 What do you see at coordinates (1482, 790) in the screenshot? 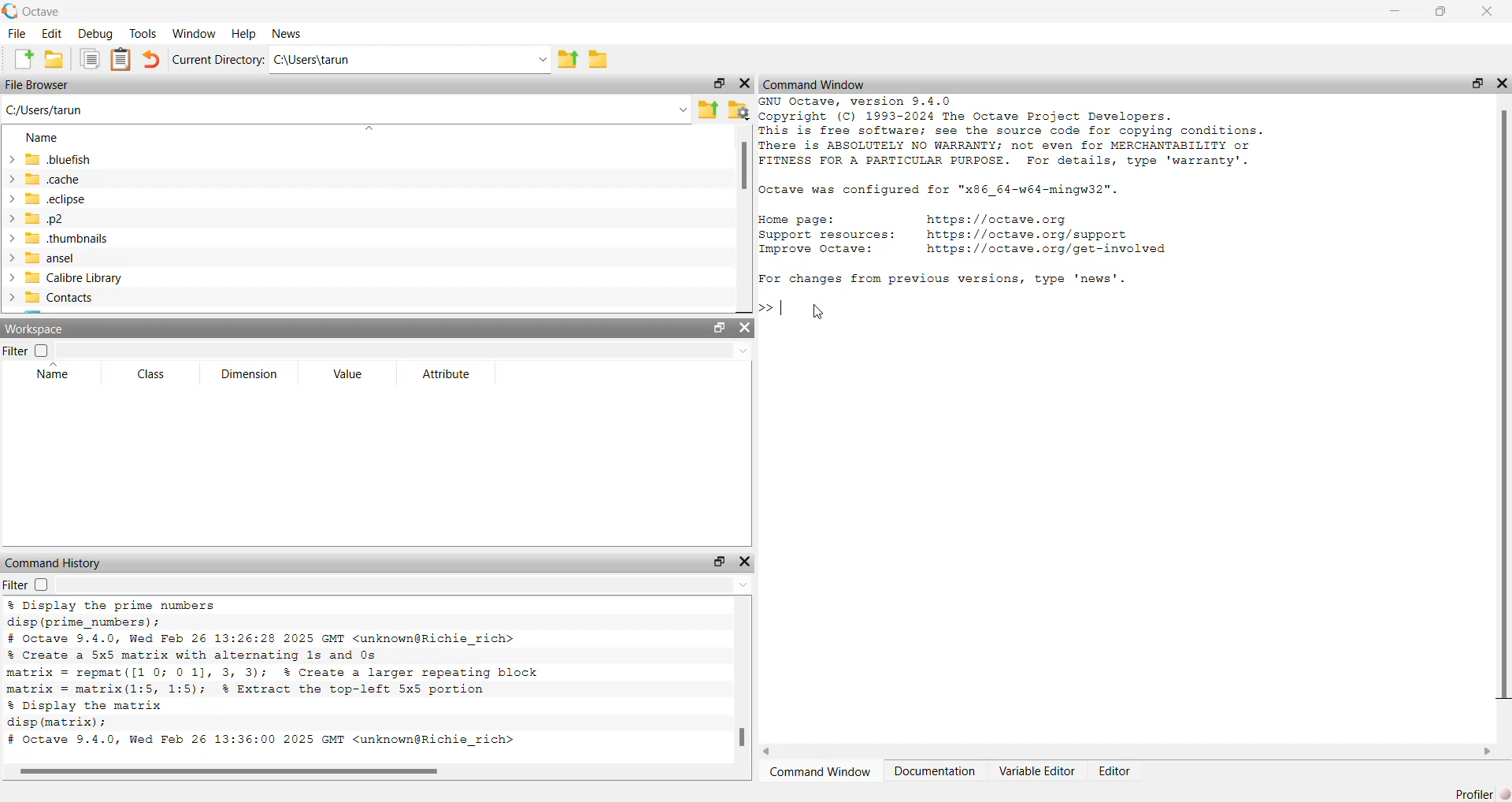
I see `profiler` at bounding box center [1482, 790].